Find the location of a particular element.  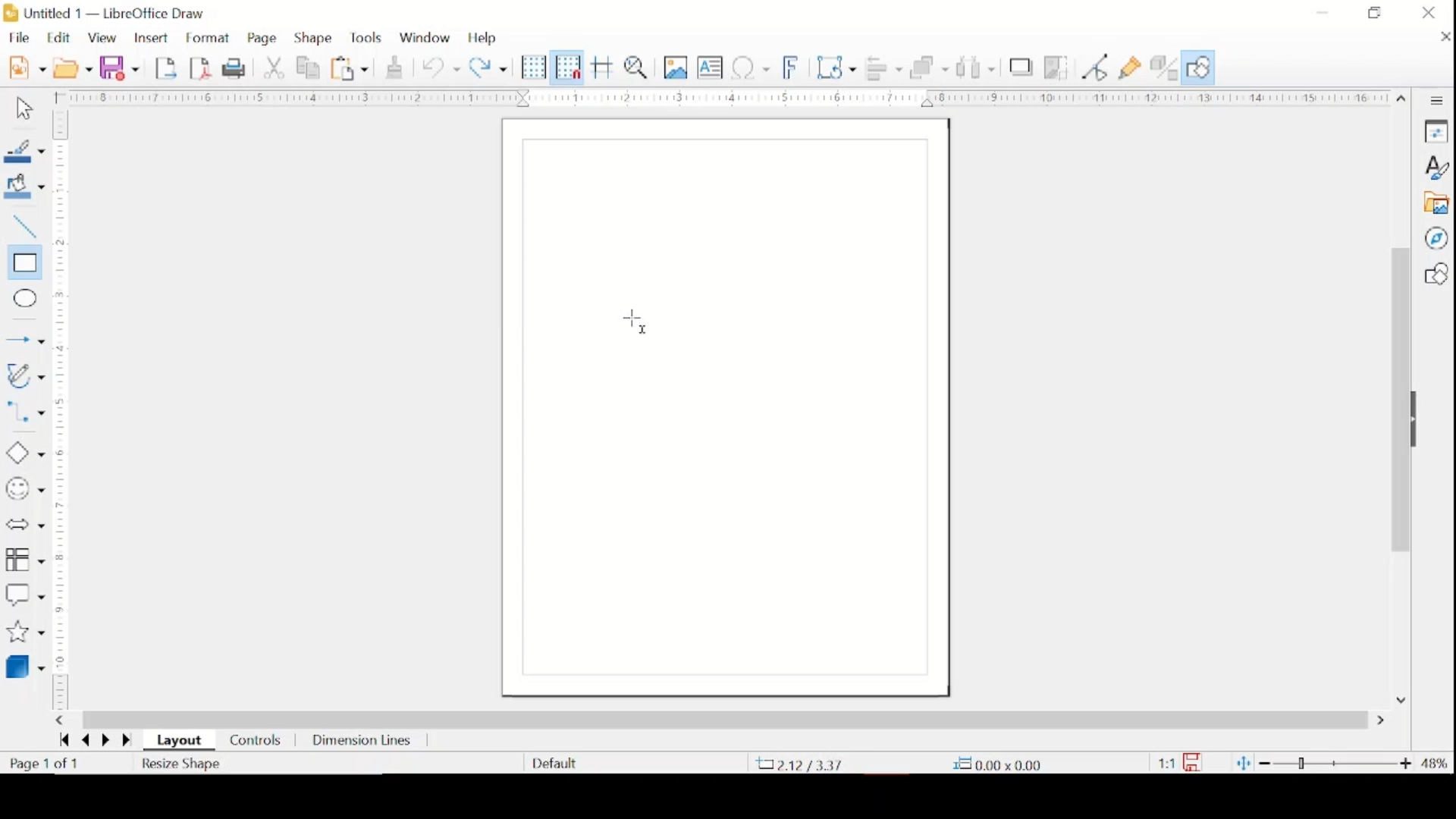

layout is located at coordinates (182, 741).